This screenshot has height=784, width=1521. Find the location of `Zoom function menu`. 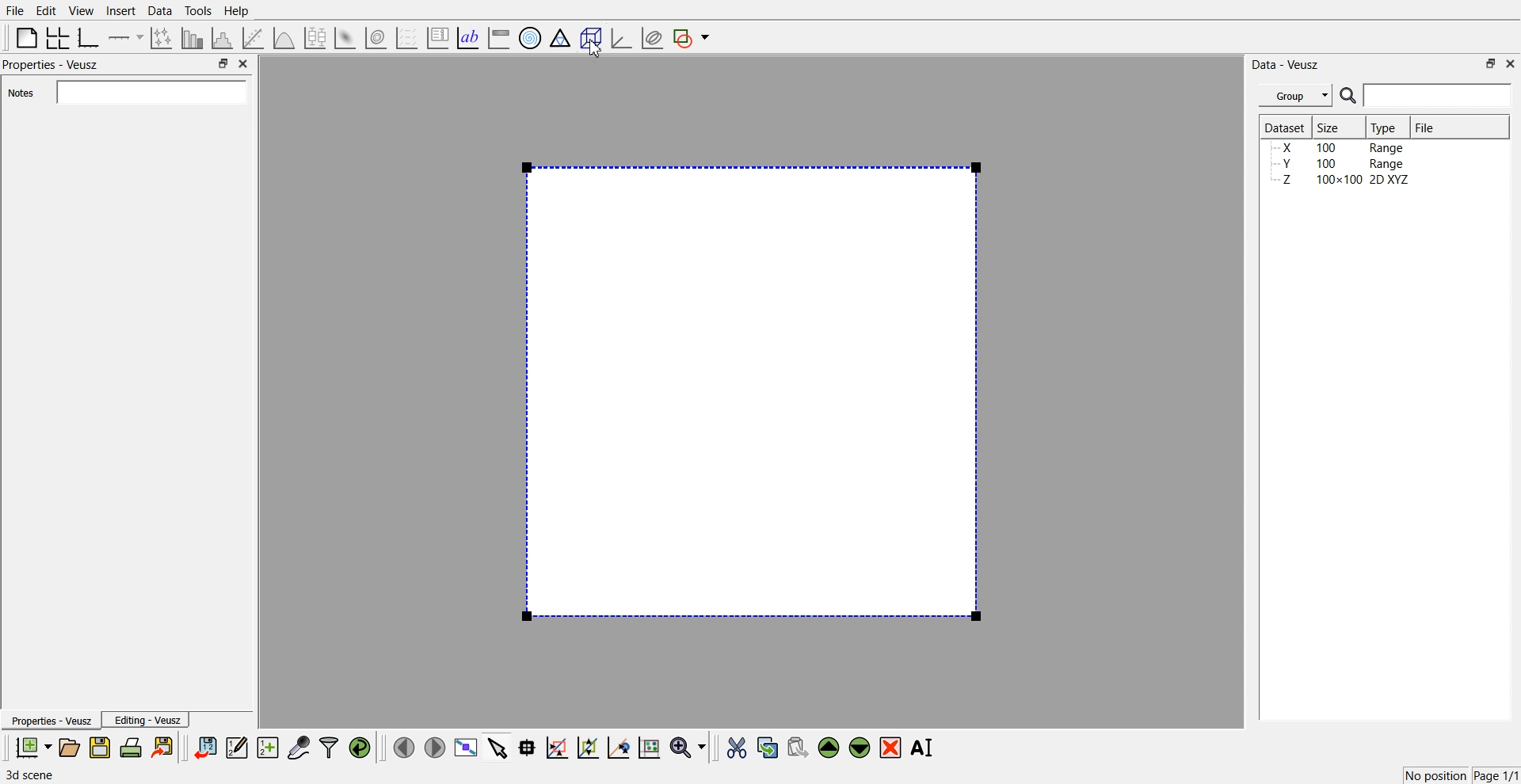

Zoom function menu is located at coordinates (690, 747).